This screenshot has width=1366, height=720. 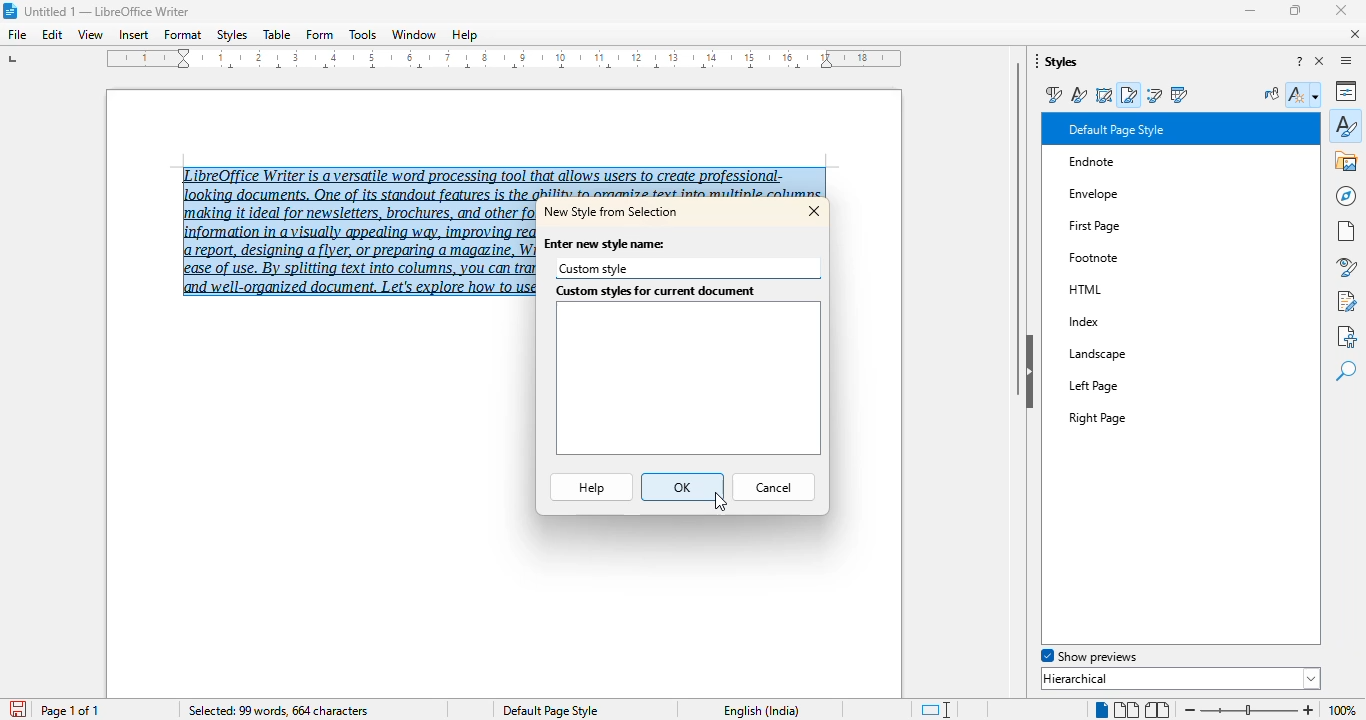 I want to click on find, so click(x=1346, y=372).